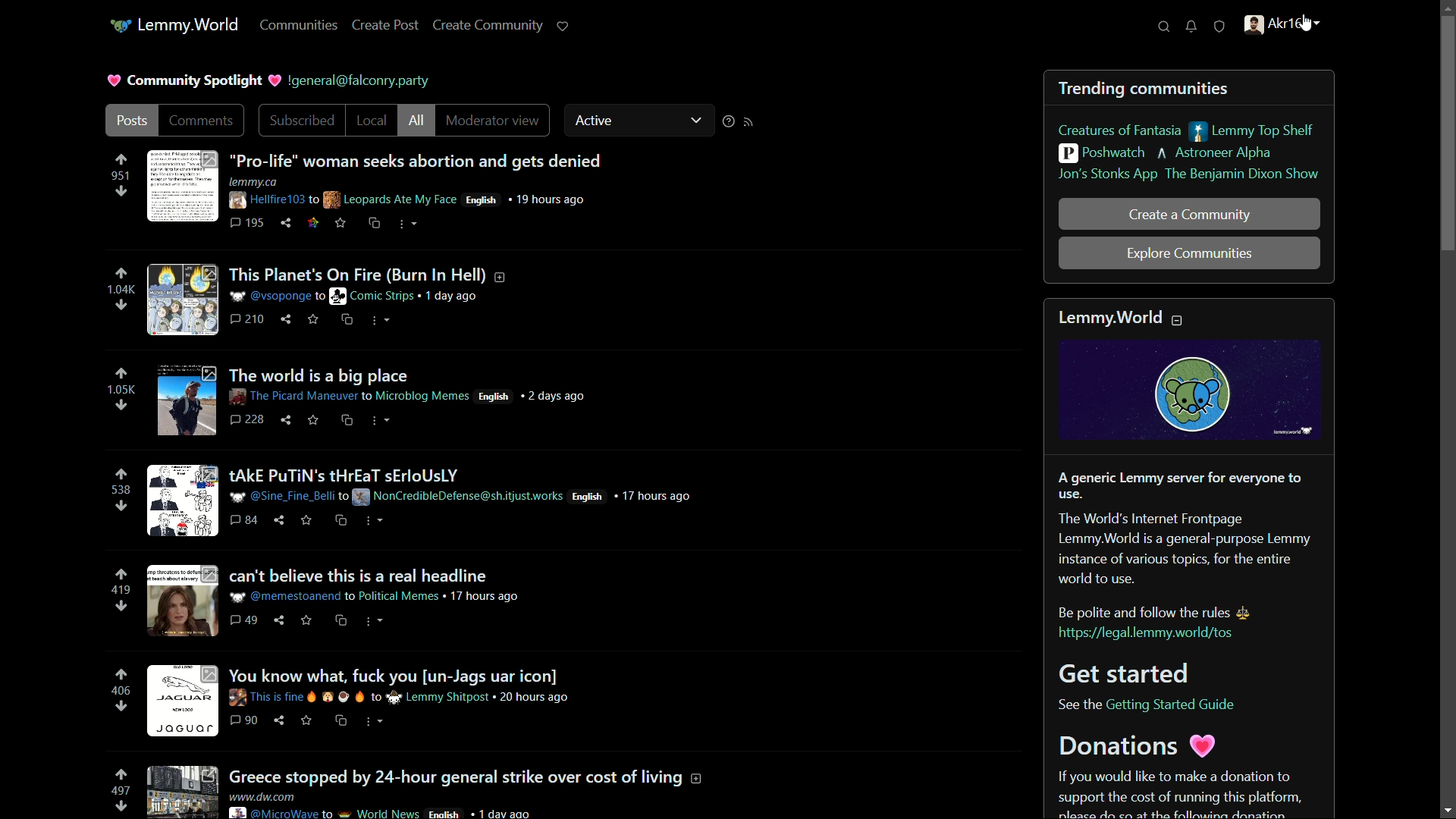  Describe the element at coordinates (111, 80) in the screenshot. I see `Heart logo` at that location.